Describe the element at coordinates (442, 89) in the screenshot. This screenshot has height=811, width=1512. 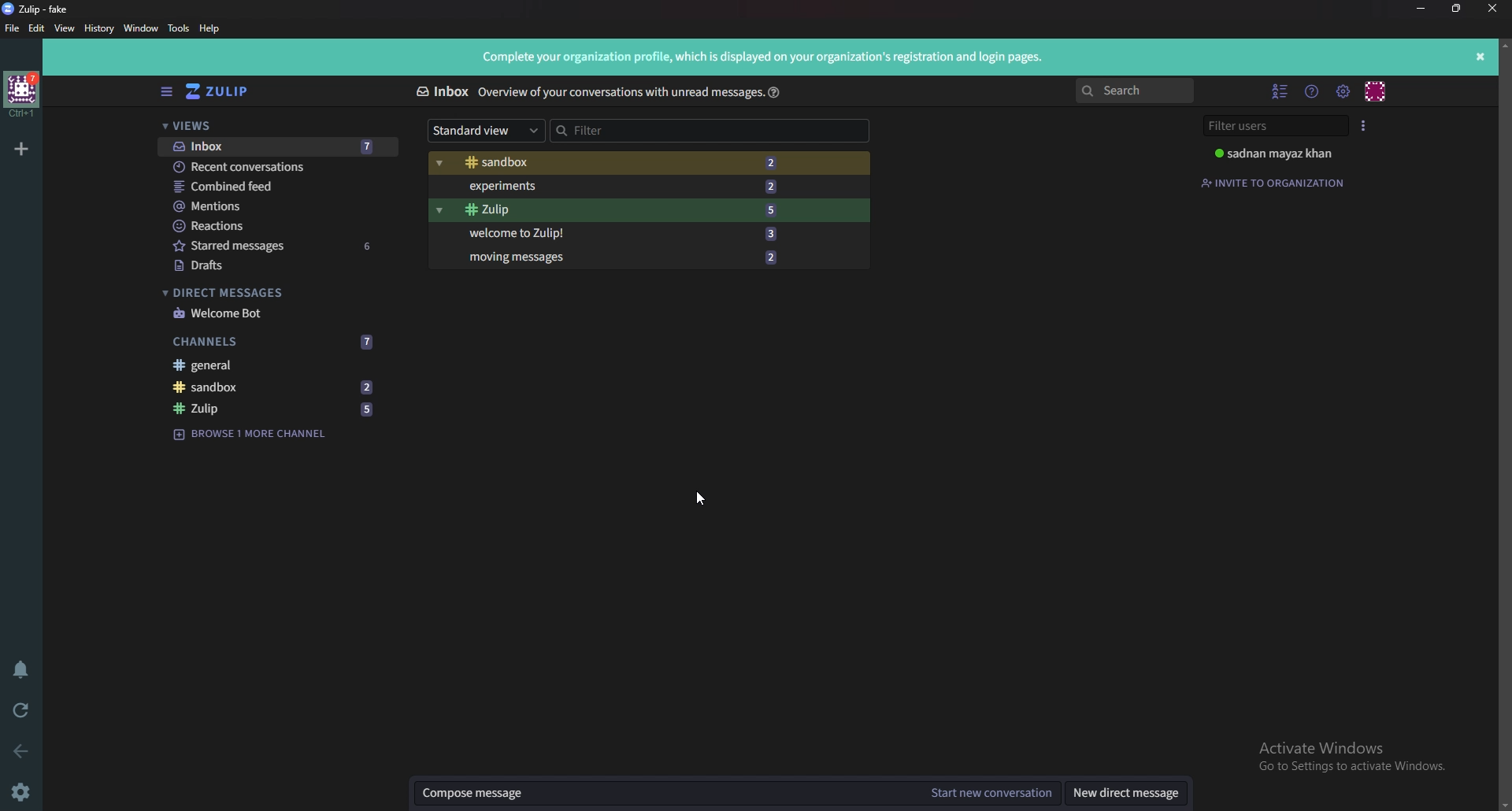
I see `Inbox` at that location.